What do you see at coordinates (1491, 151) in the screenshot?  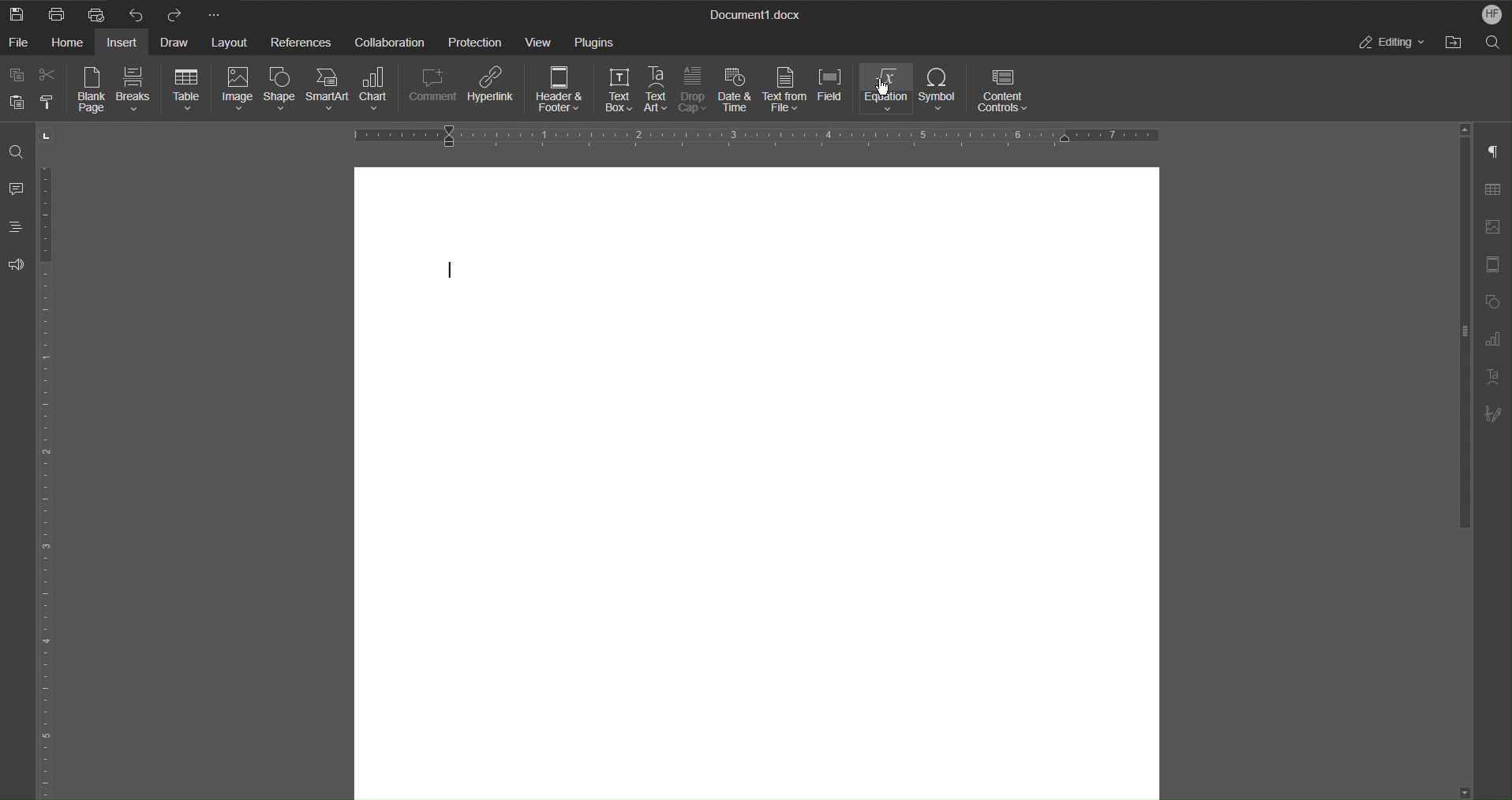 I see `Non-Printing Characters` at bounding box center [1491, 151].